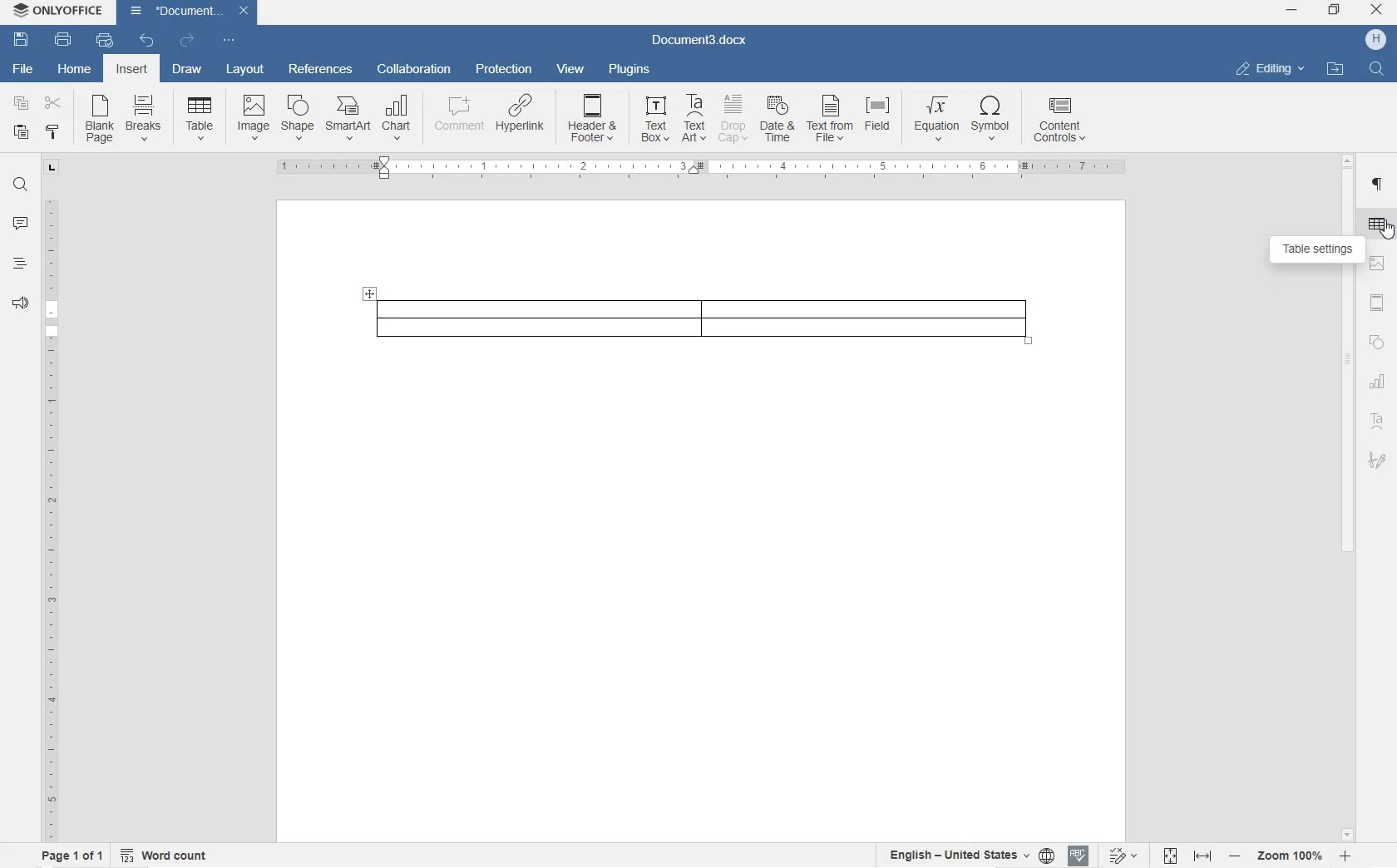 This screenshot has height=868, width=1397. What do you see at coordinates (700, 38) in the screenshot?
I see `Document3.docx` at bounding box center [700, 38].